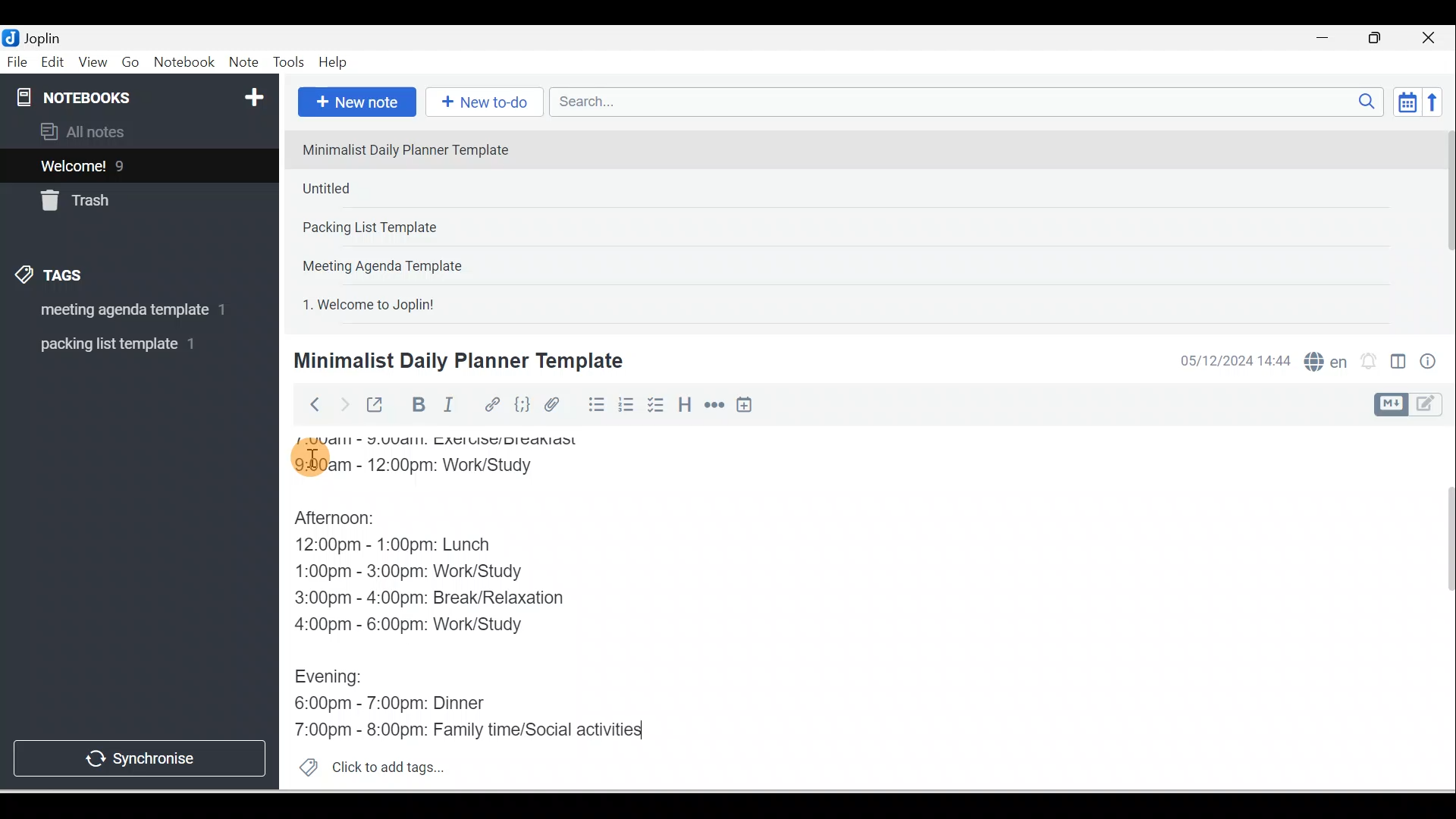 The image size is (1456, 819). Describe the element at coordinates (413, 547) in the screenshot. I see `12:00pm - 1:00pm: Lunch` at that location.